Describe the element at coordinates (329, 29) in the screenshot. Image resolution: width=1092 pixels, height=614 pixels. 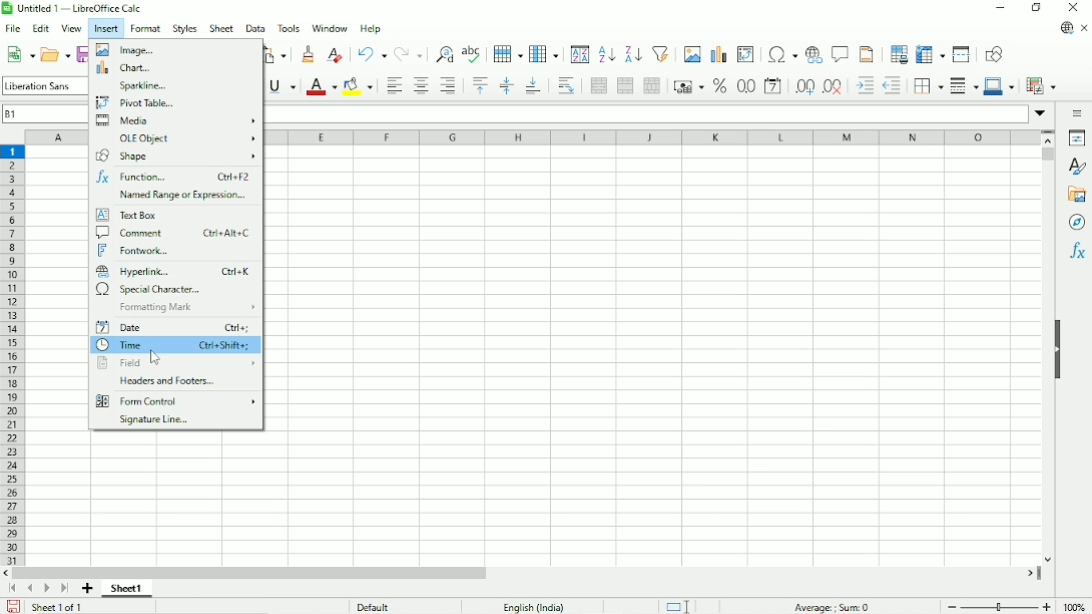
I see `Window` at that location.